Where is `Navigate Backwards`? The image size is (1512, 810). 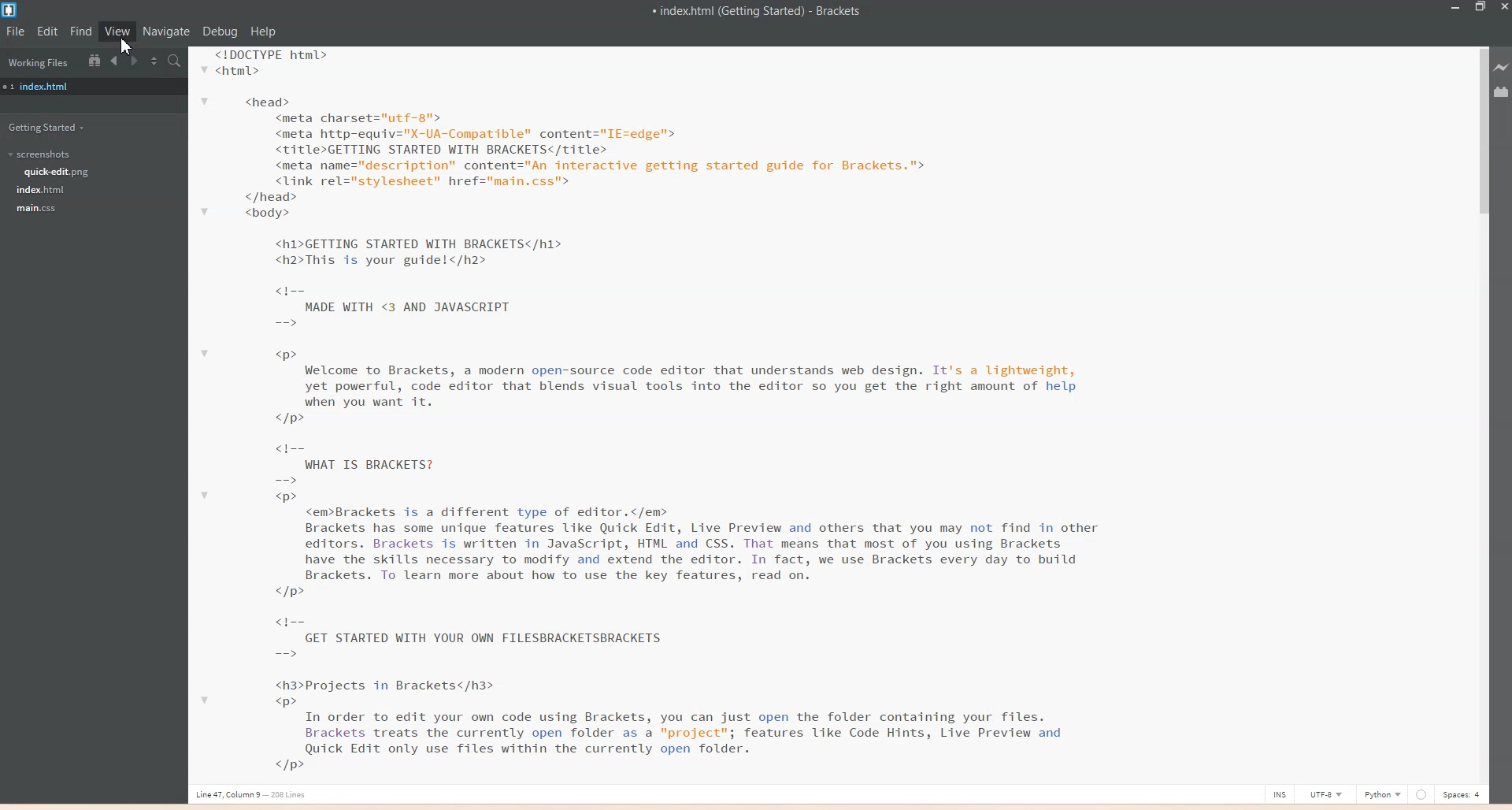
Navigate Backwards is located at coordinates (117, 61).